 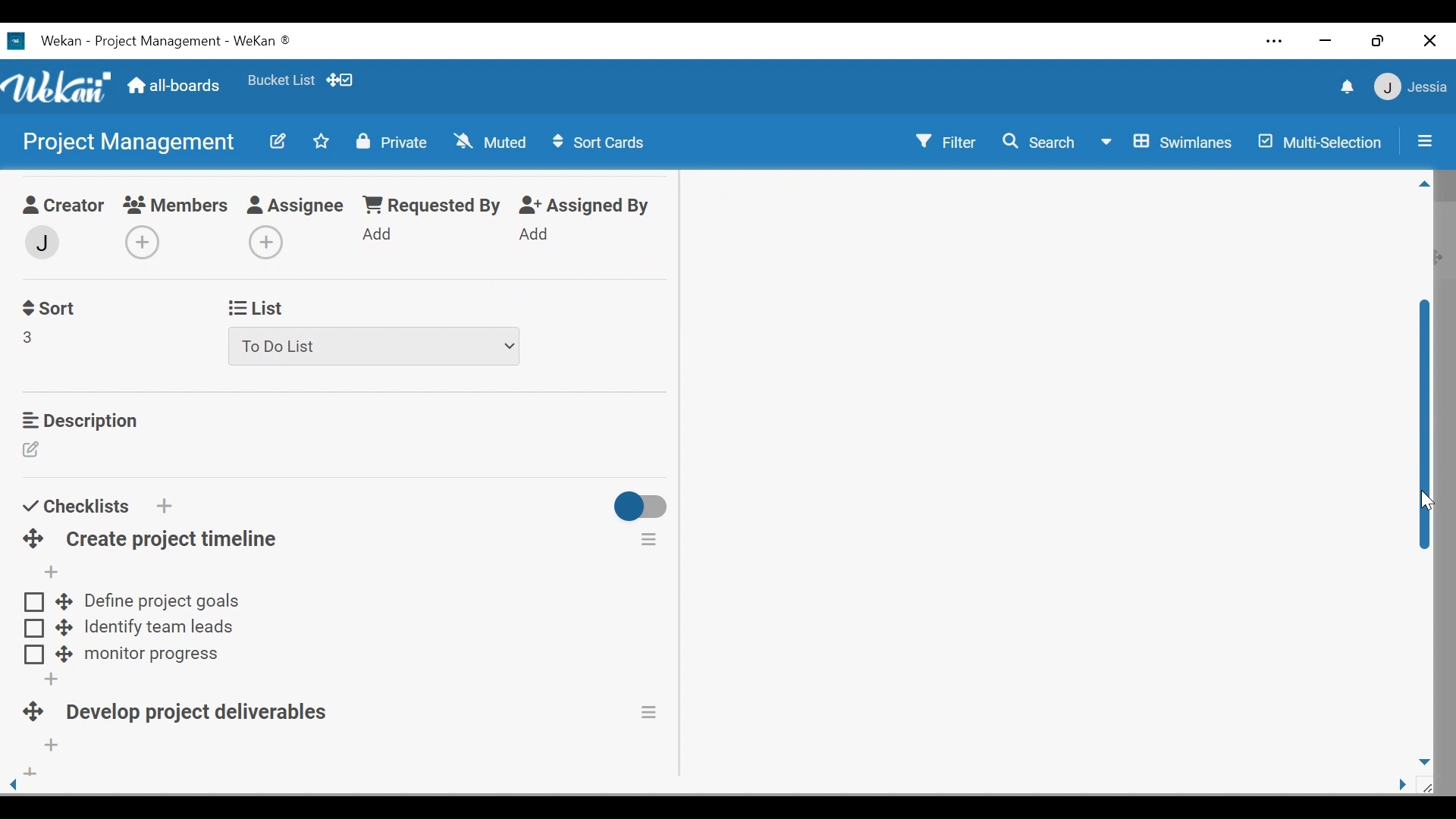 I want to click on List dropdown menu, so click(x=375, y=347).